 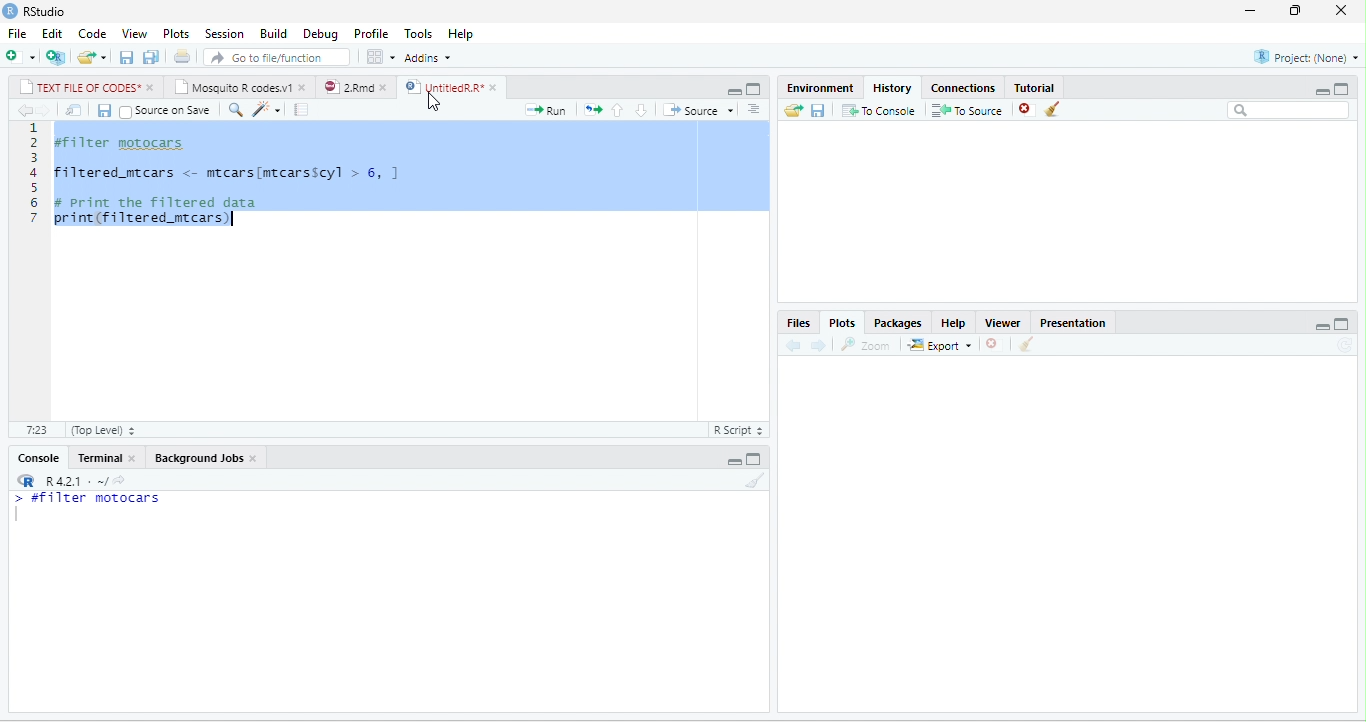 I want to click on close, so click(x=385, y=88).